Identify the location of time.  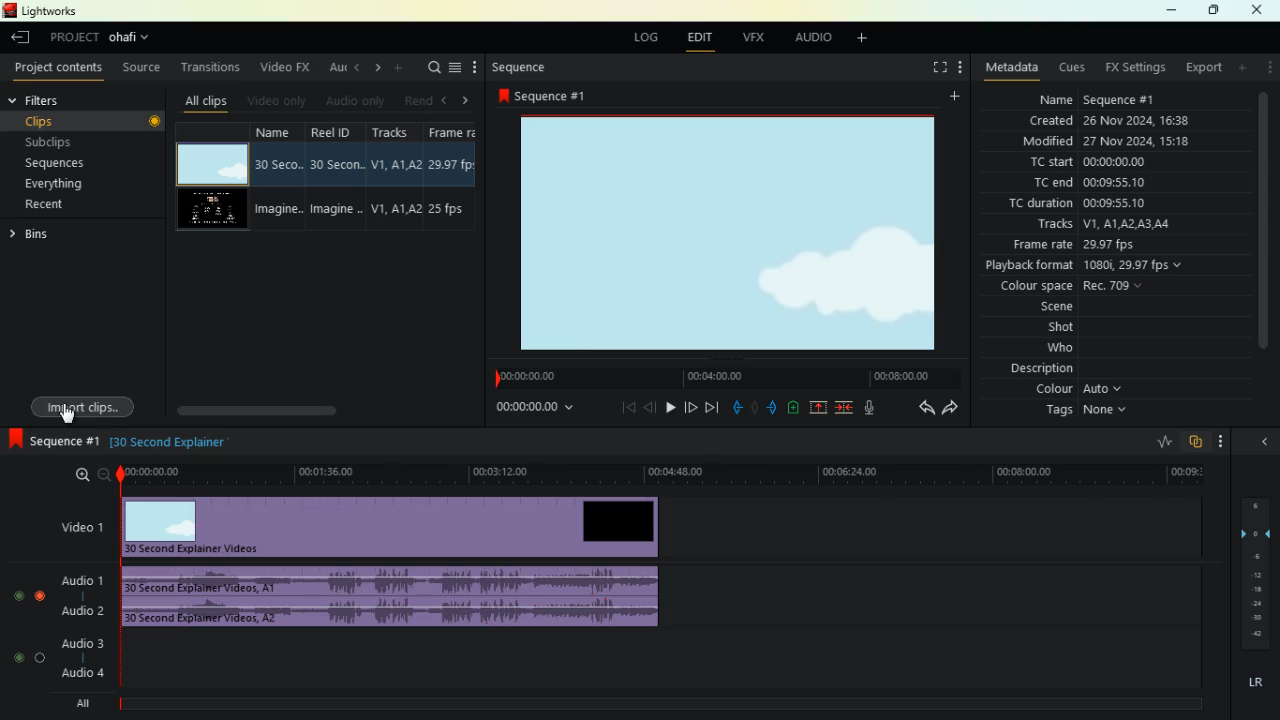
(527, 408).